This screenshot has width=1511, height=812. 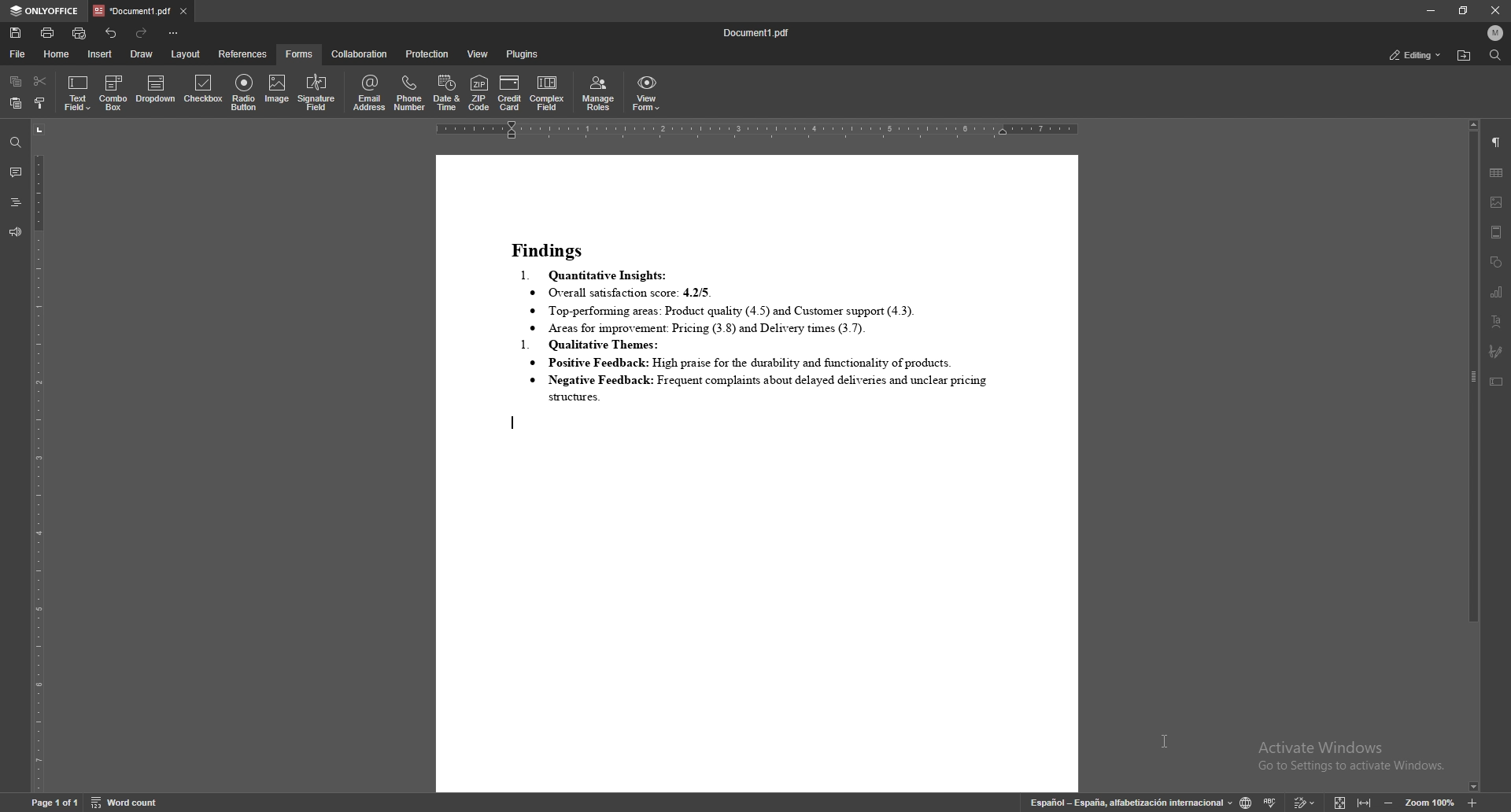 What do you see at coordinates (14, 142) in the screenshot?
I see `find` at bounding box center [14, 142].